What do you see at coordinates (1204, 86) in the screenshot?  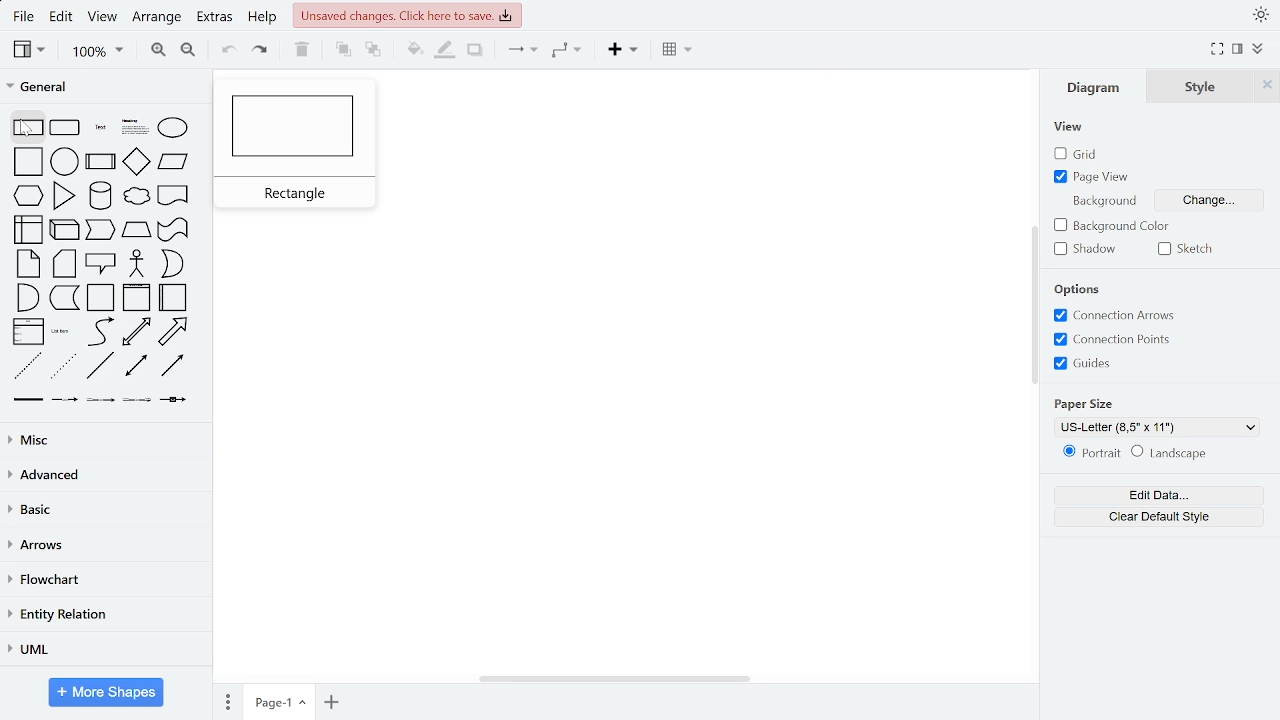 I see `style` at bounding box center [1204, 86].